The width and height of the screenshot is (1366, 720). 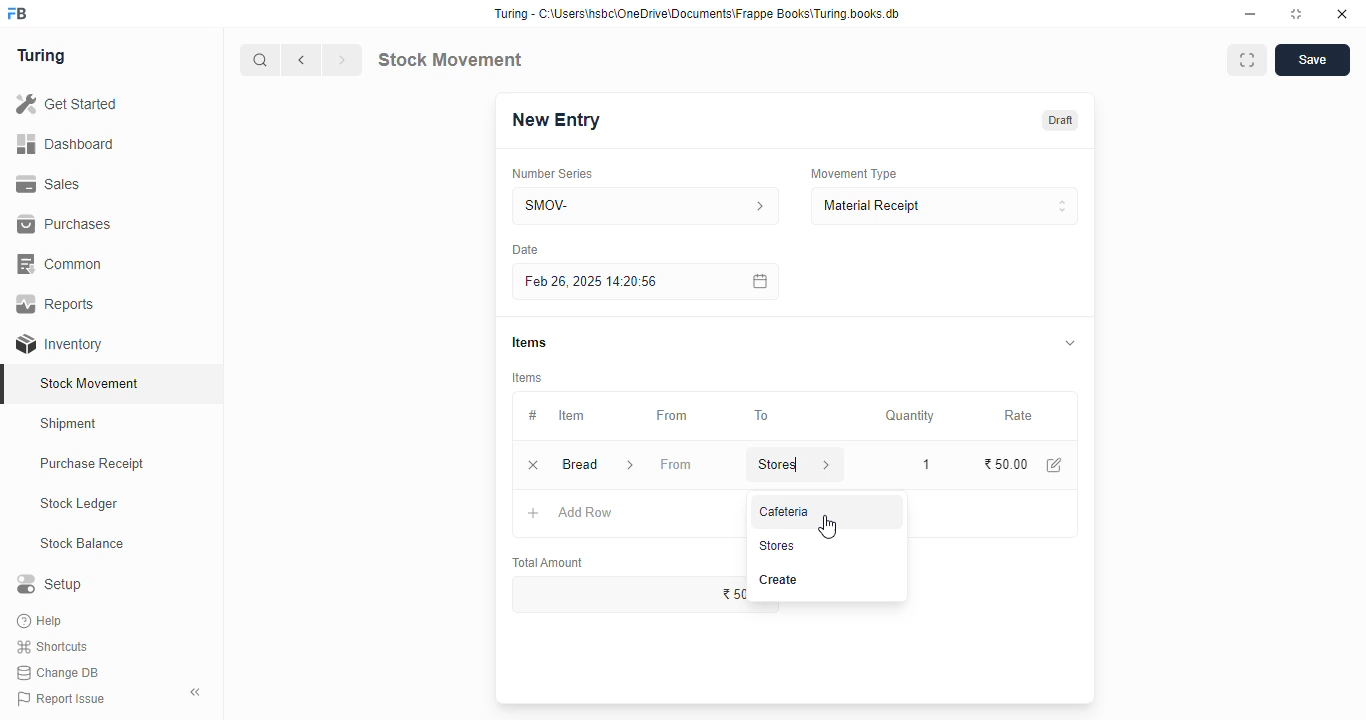 What do you see at coordinates (529, 342) in the screenshot?
I see `items` at bounding box center [529, 342].